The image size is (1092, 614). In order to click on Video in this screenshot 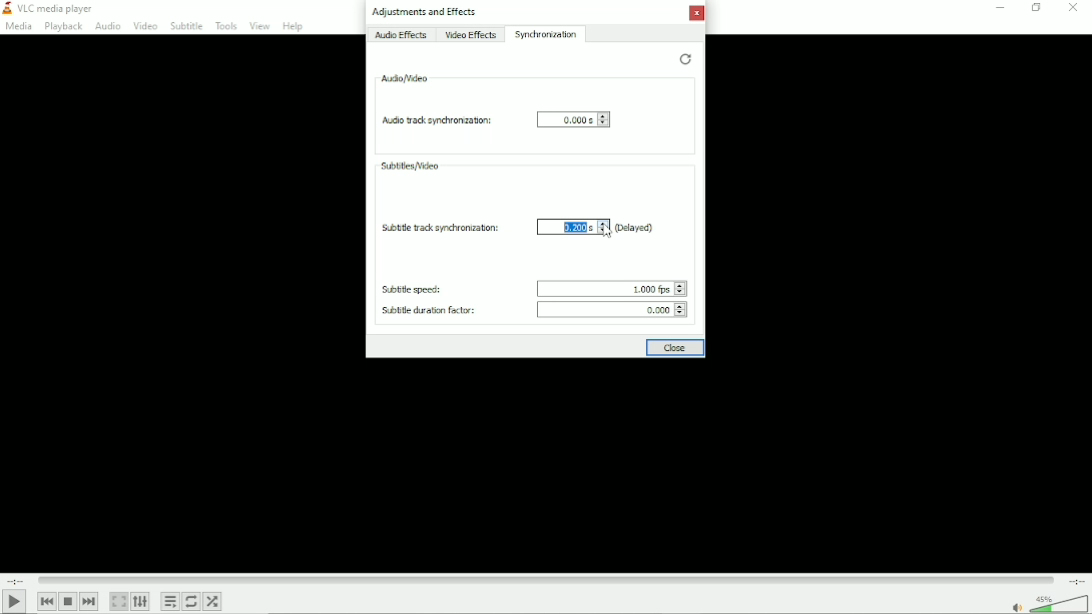, I will do `click(143, 24)`.